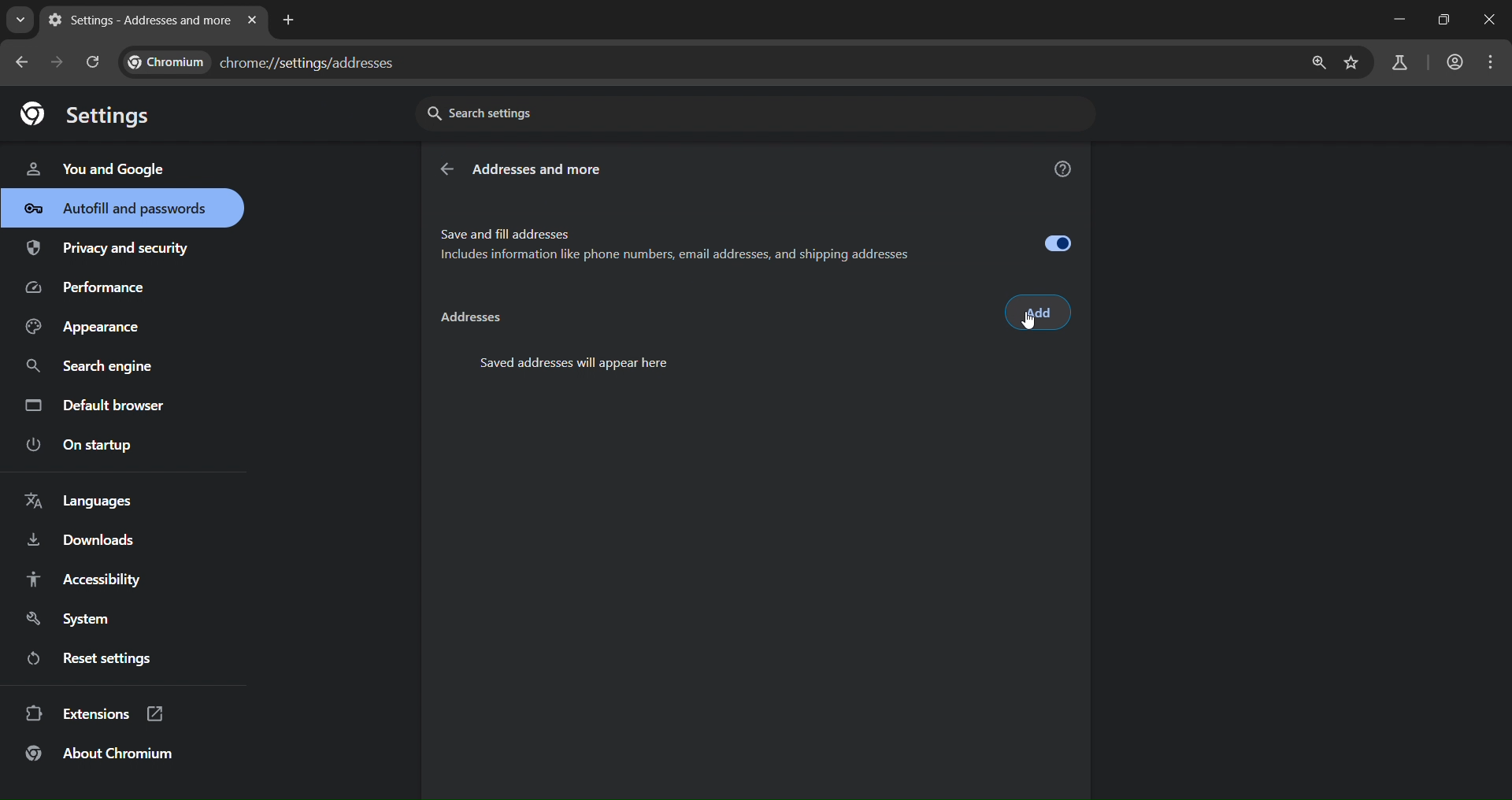  Describe the element at coordinates (95, 712) in the screenshot. I see `extensions` at that location.